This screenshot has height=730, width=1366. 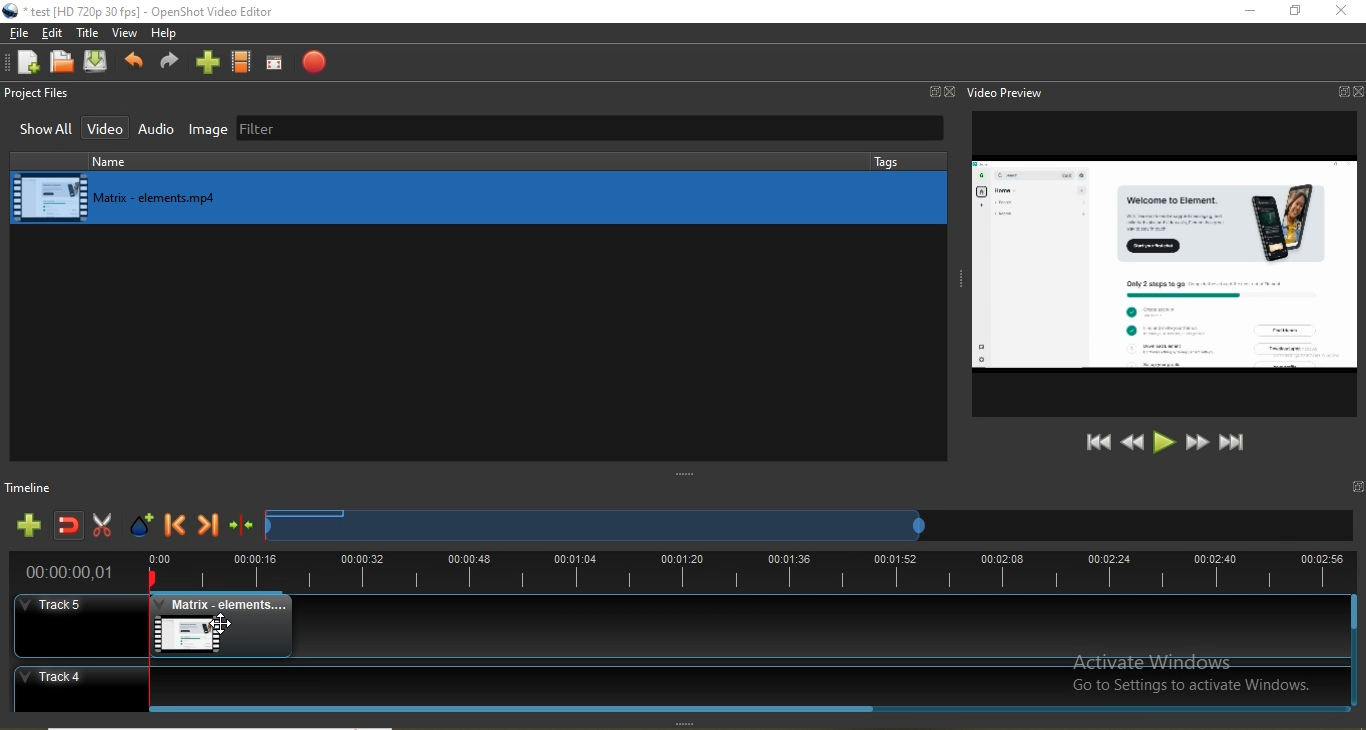 I want to click on Window , so click(x=935, y=91).